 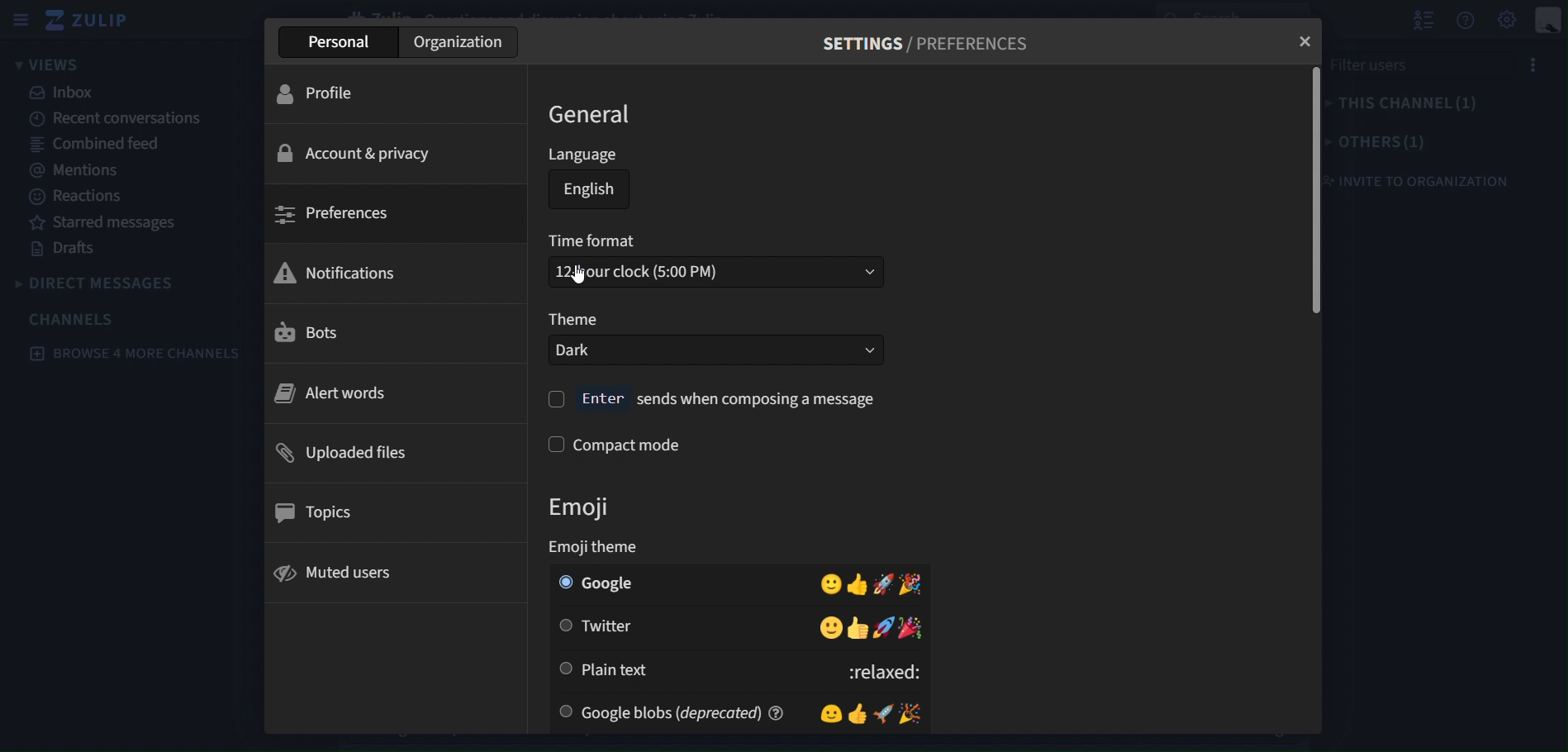 I want to click on direct messages, so click(x=98, y=286).